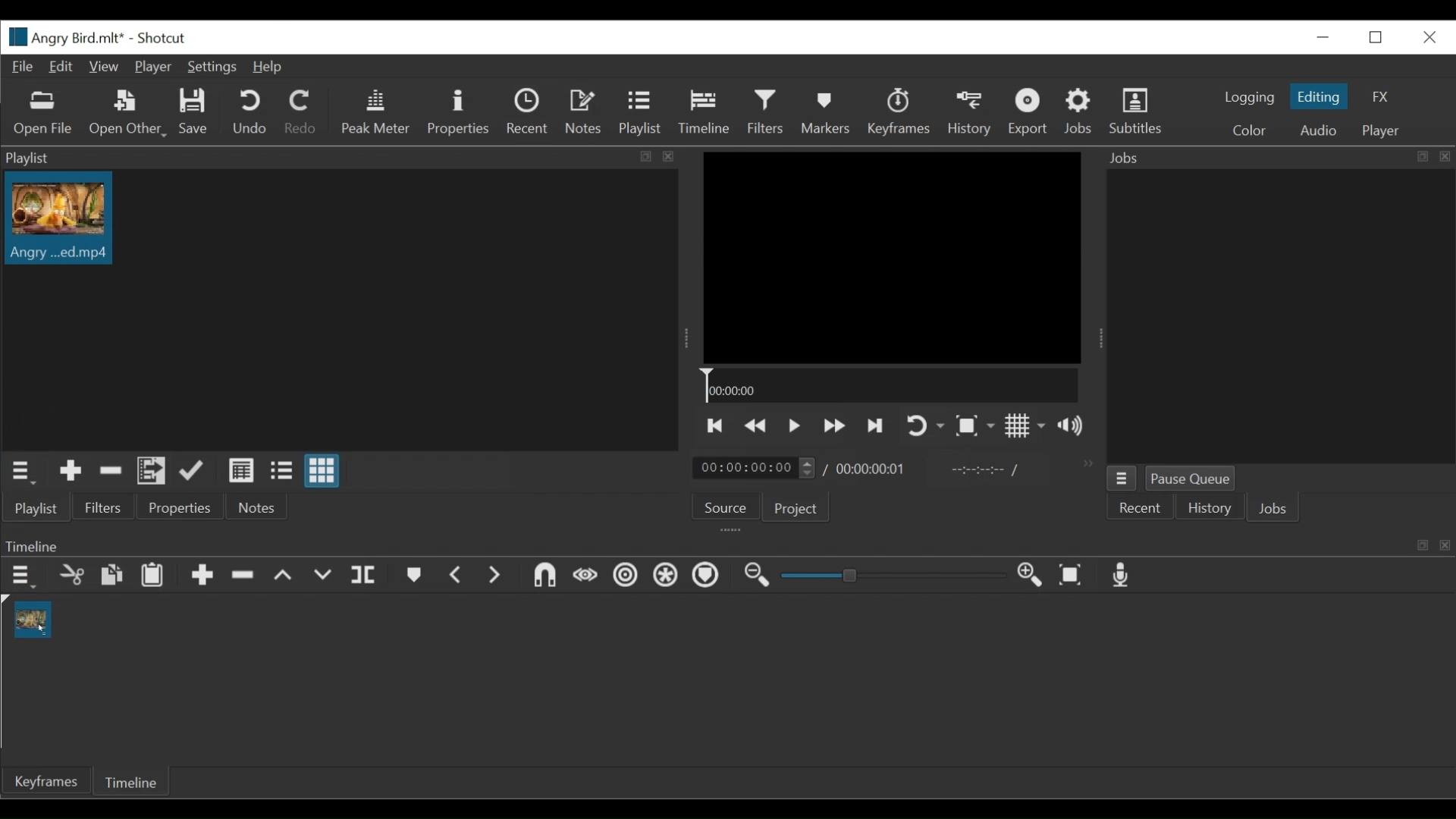 The width and height of the screenshot is (1456, 819). Describe the element at coordinates (154, 573) in the screenshot. I see `Paste` at that location.